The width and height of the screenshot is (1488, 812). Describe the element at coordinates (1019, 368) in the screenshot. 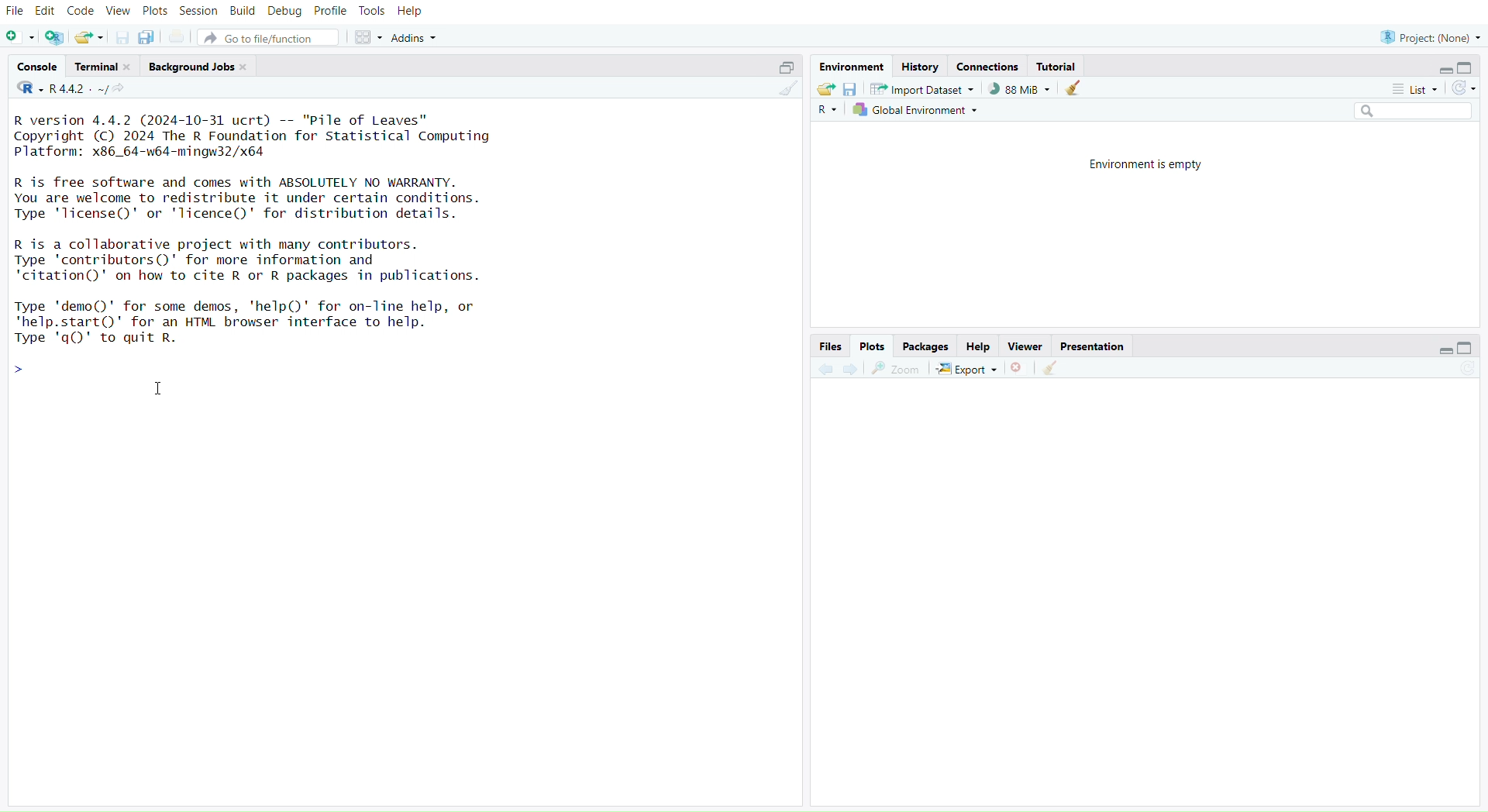

I see `remove current plot` at that location.